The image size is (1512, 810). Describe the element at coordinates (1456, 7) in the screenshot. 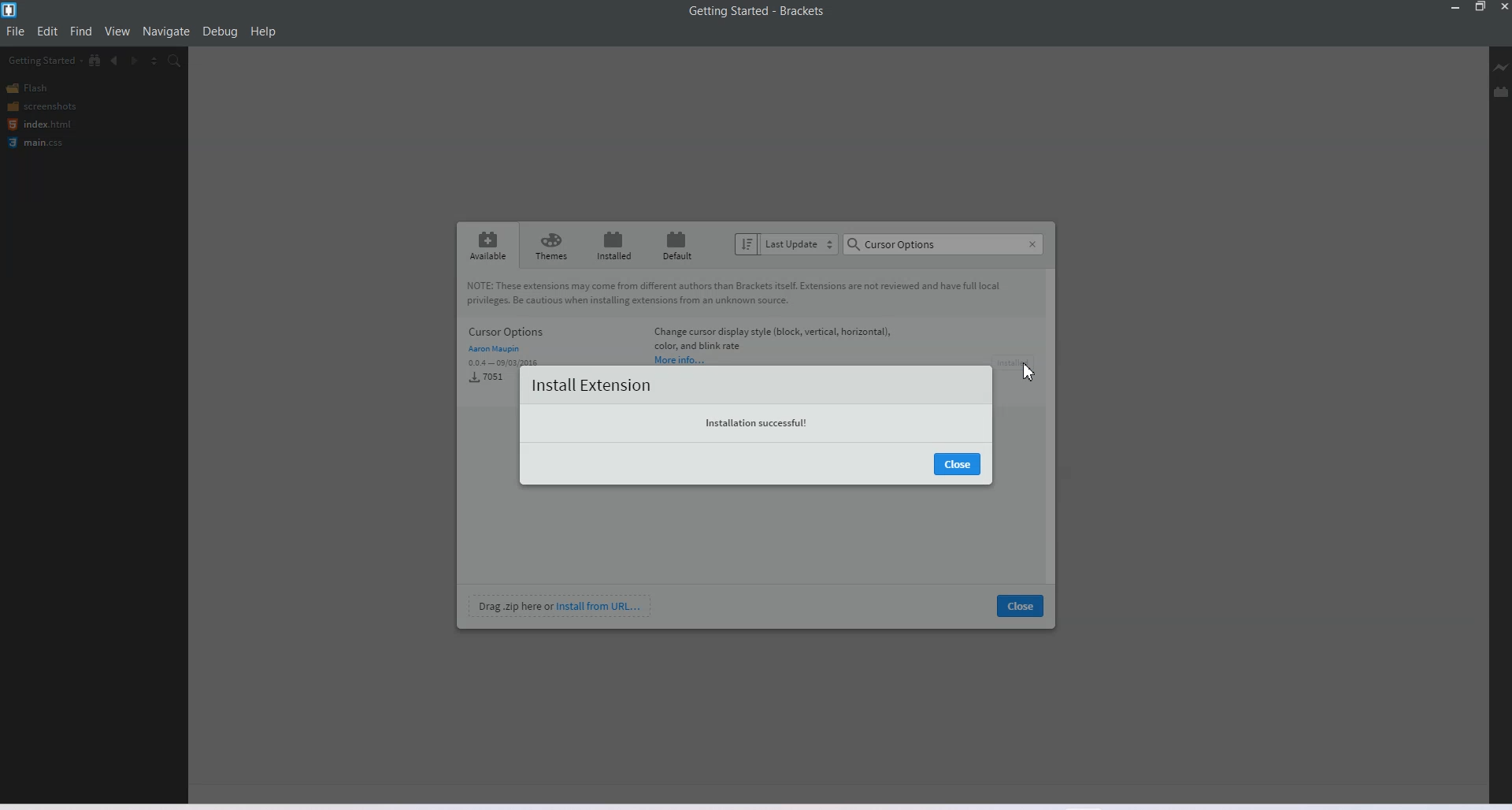

I see `Minimize` at that location.